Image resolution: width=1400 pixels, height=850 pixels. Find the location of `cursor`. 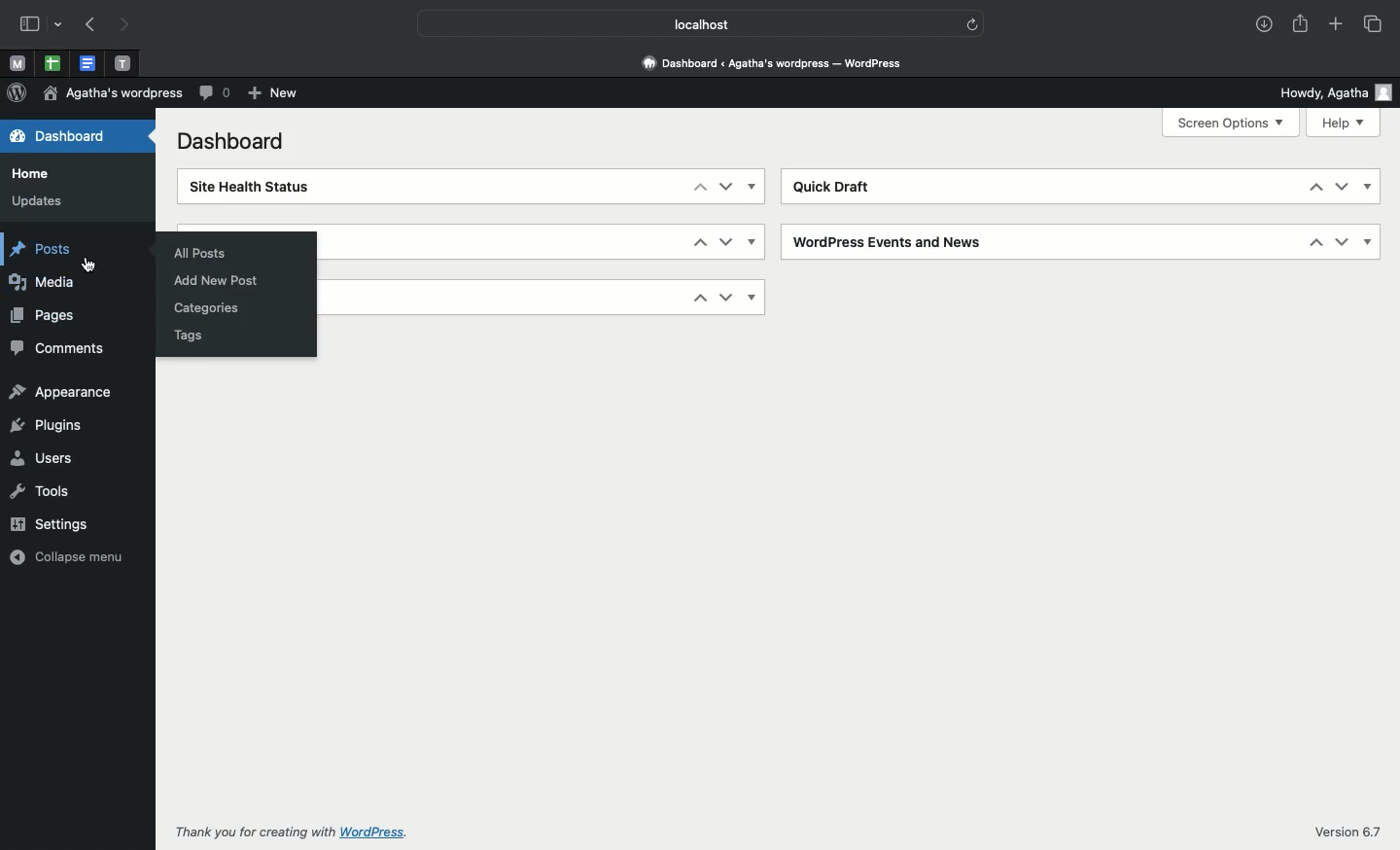

cursor is located at coordinates (91, 263).